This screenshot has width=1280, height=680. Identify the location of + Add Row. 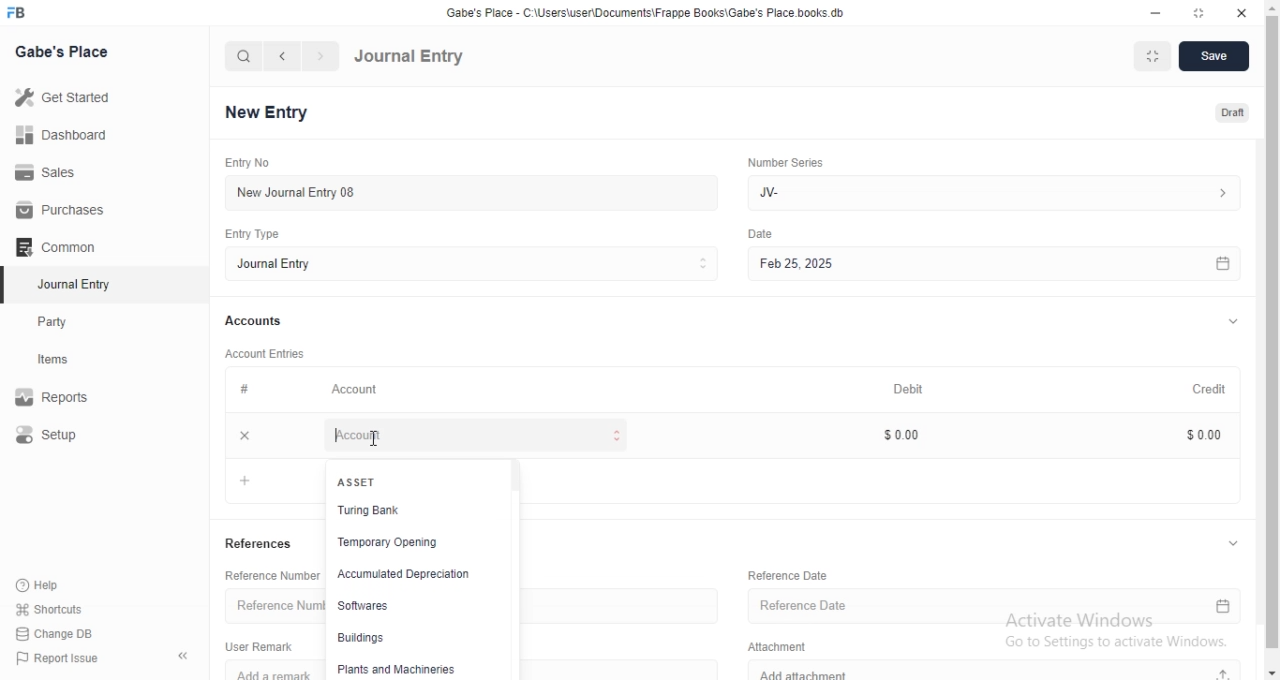
(274, 479).